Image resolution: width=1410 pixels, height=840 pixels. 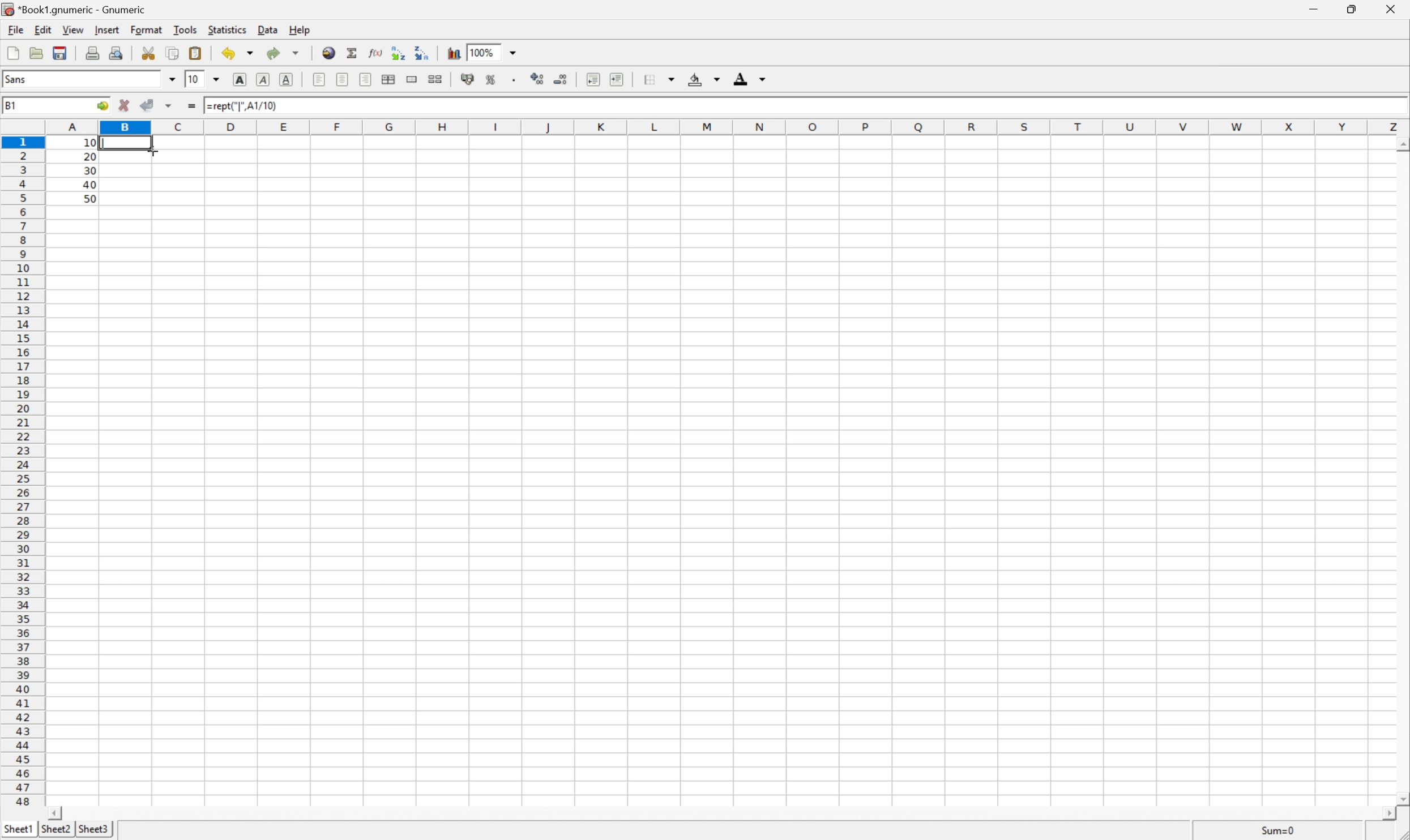 I want to click on 40, so click(x=89, y=184).